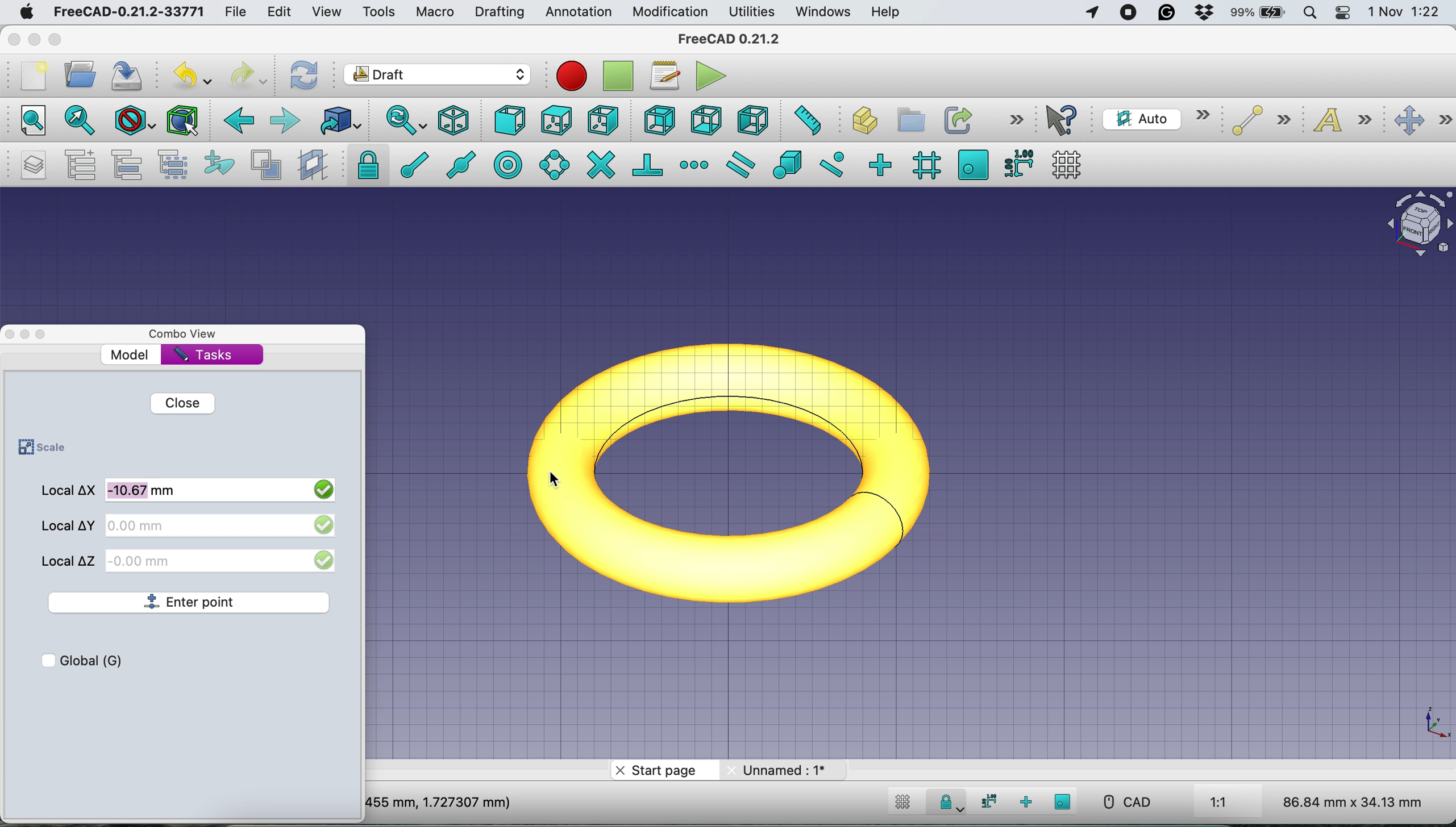 The height and width of the screenshot is (827, 1456). What do you see at coordinates (286, 122) in the screenshot?
I see `forward` at bounding box center [286, 122].